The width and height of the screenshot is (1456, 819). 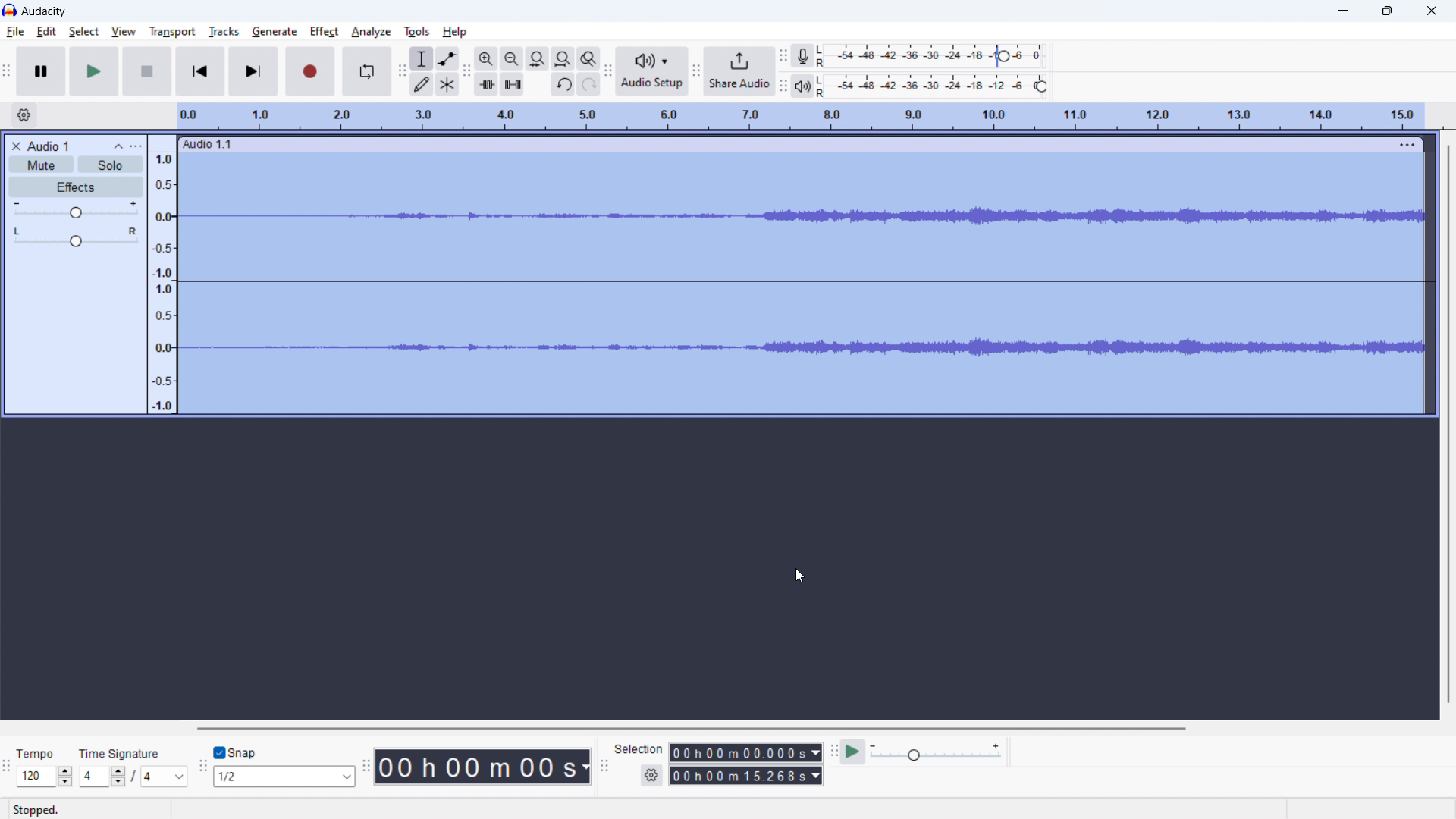 I want to click on redo, so click(x=589, y=83).